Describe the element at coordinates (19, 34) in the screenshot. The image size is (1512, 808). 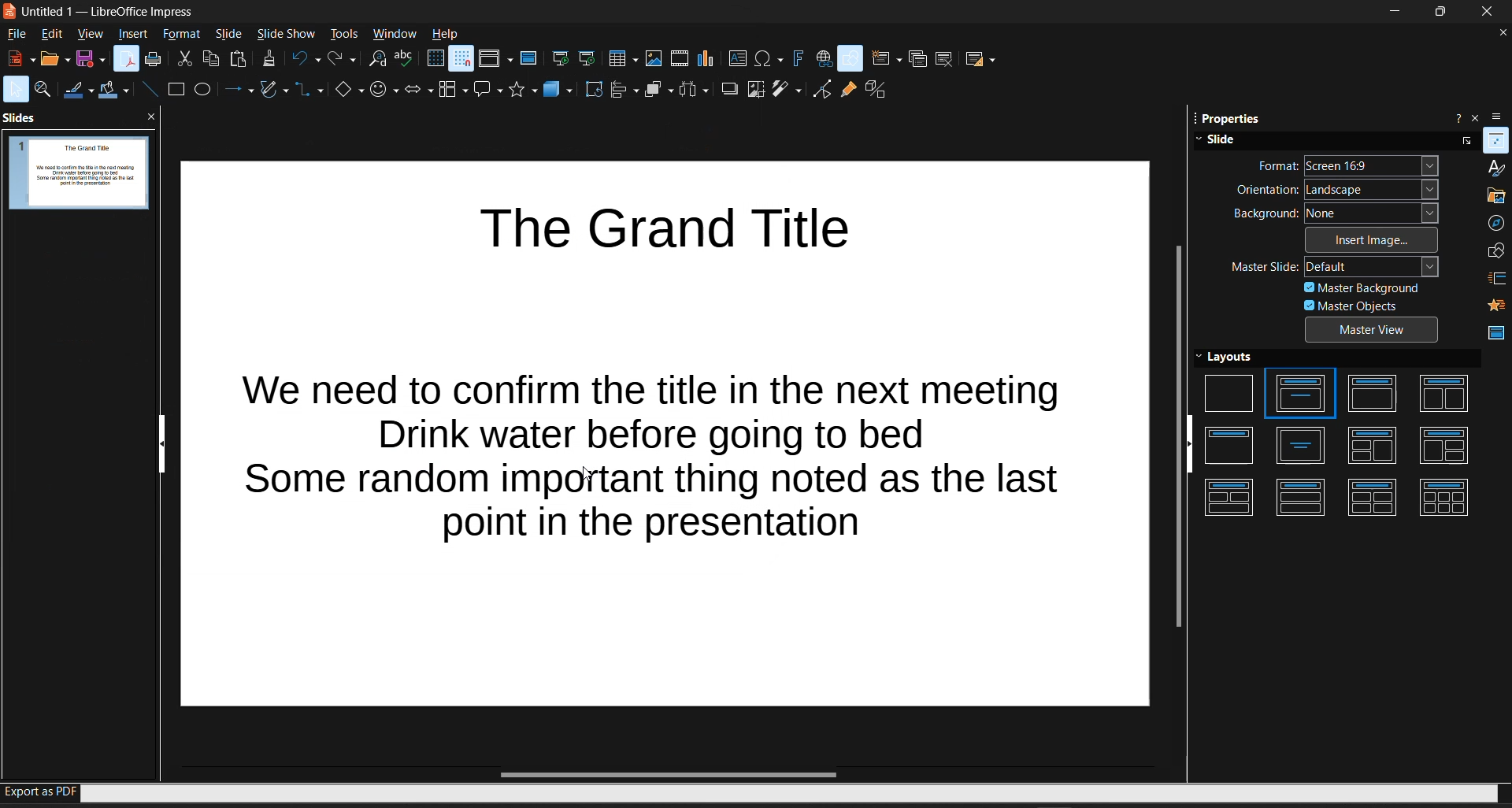
I see `file` at that location.